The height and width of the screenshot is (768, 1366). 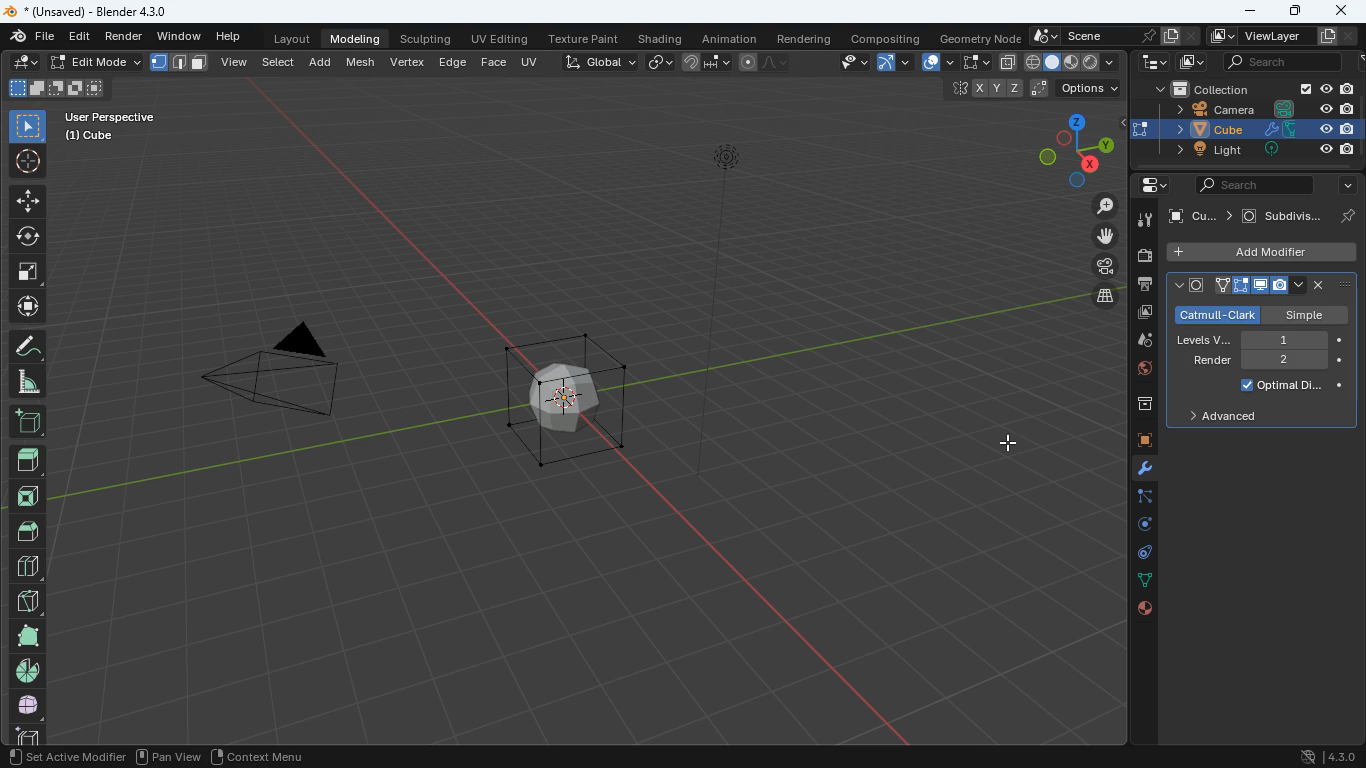 I want to click on subdivision, so click(x=570, y=397).